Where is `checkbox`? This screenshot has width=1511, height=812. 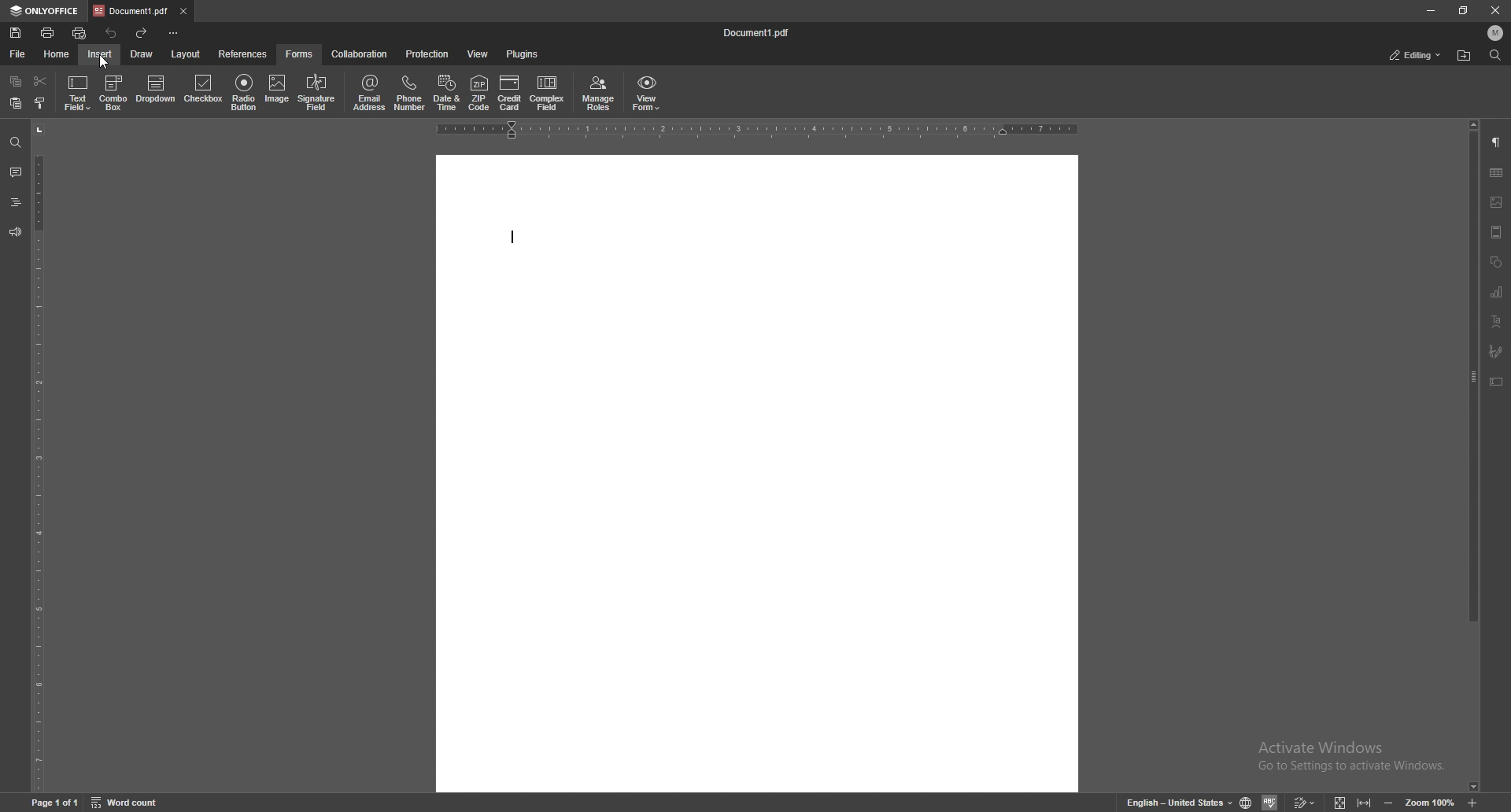 checkbox is located at coordinates (203, 91).